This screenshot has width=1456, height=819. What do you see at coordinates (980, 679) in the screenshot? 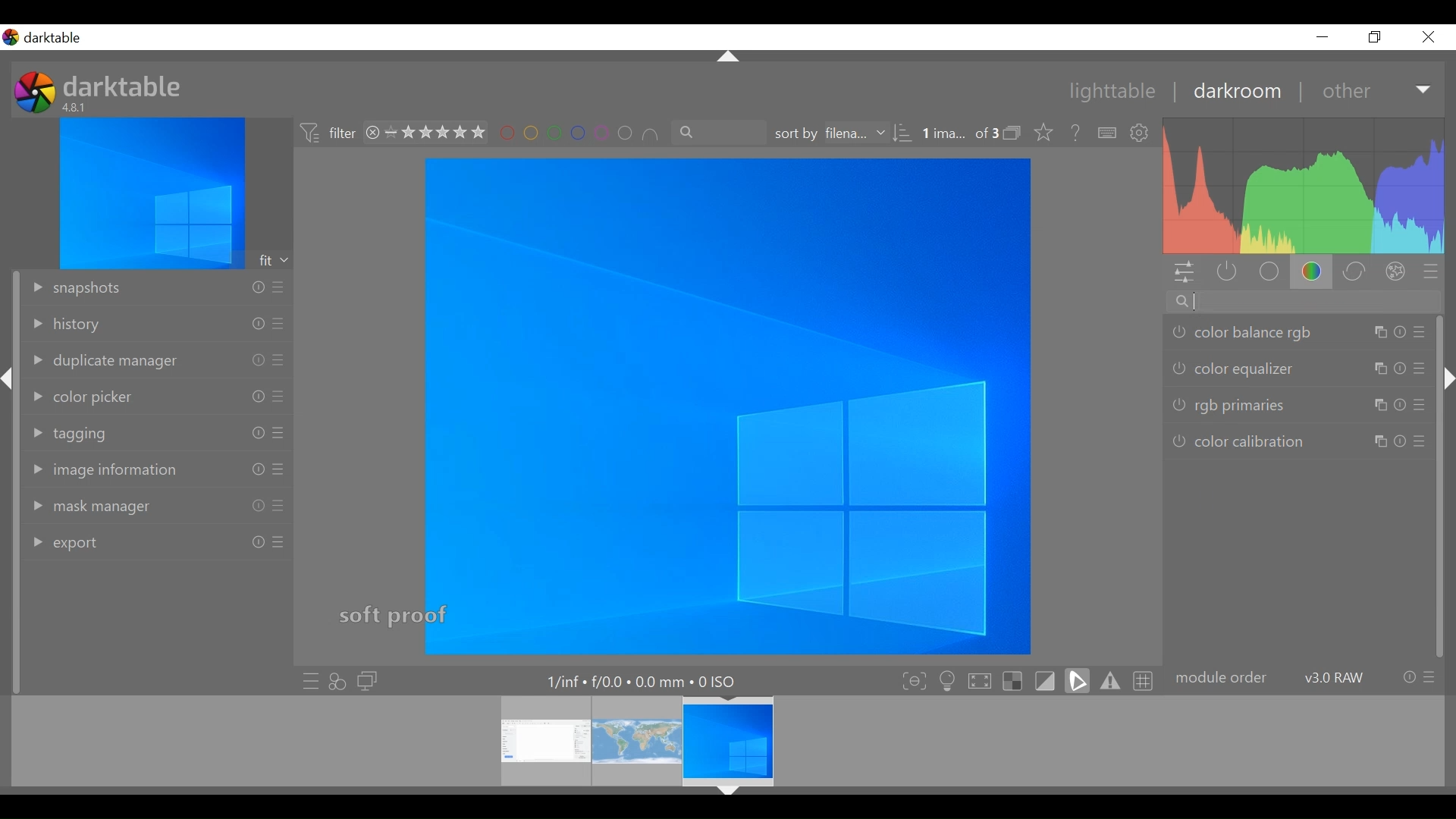
I see `toggle high quality processing` at bounding box center [980, 679].